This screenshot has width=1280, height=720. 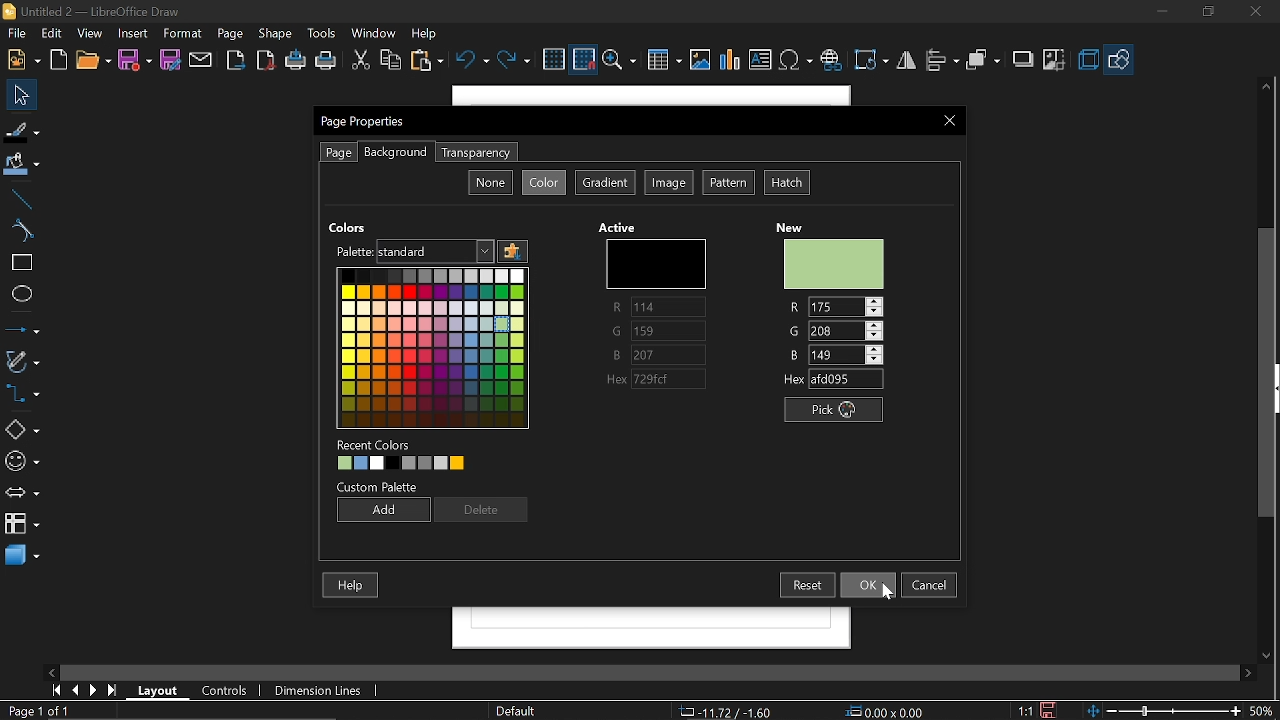 I want to click on COntrols, so click(x=230, y=690).